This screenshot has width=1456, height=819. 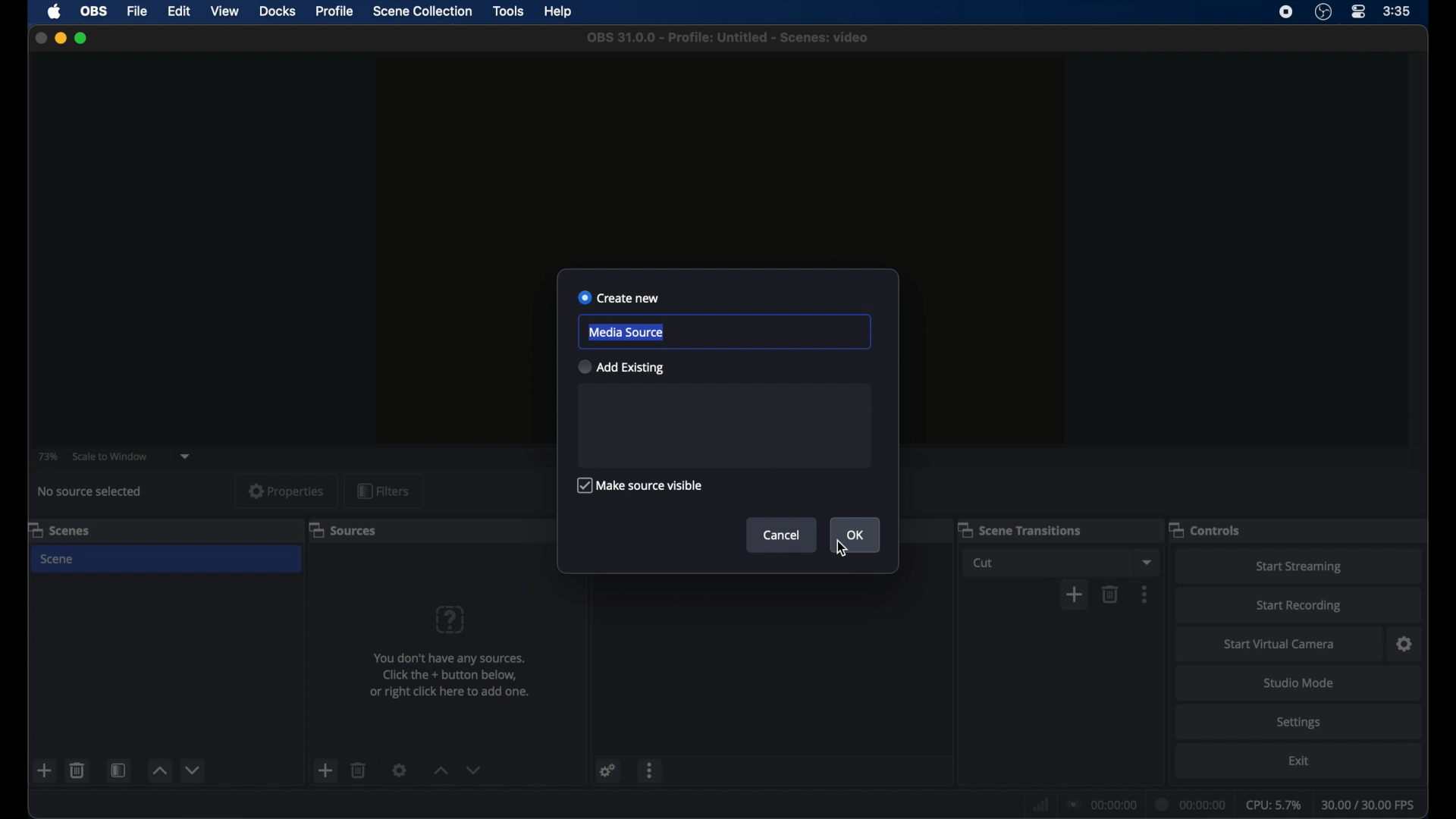 What do you see at coordinates (1147, 561) in the screenshot?
I see `dropdown` at bounding box center [1147, 561].